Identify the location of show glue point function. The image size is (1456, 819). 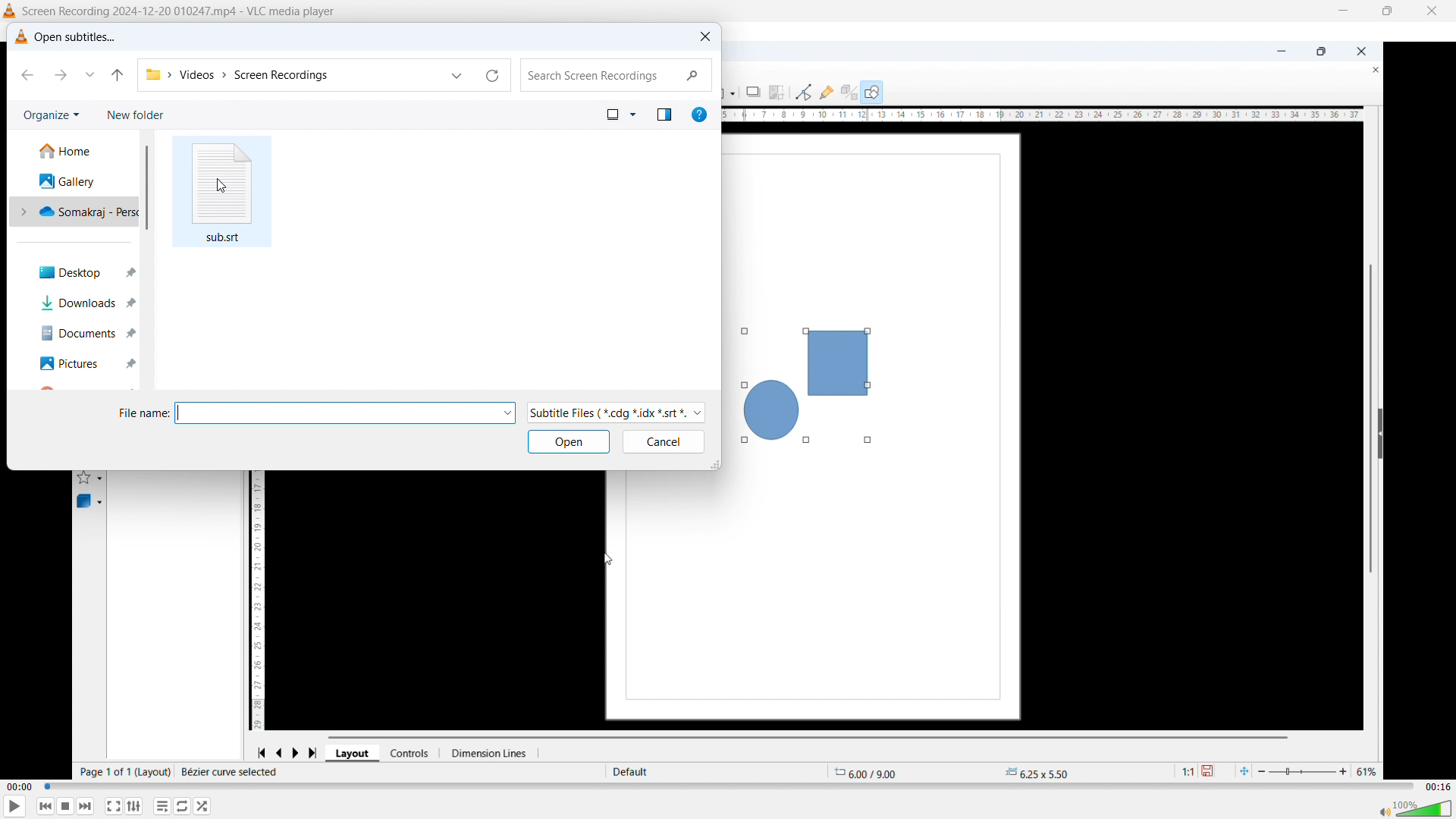
(827, 91).